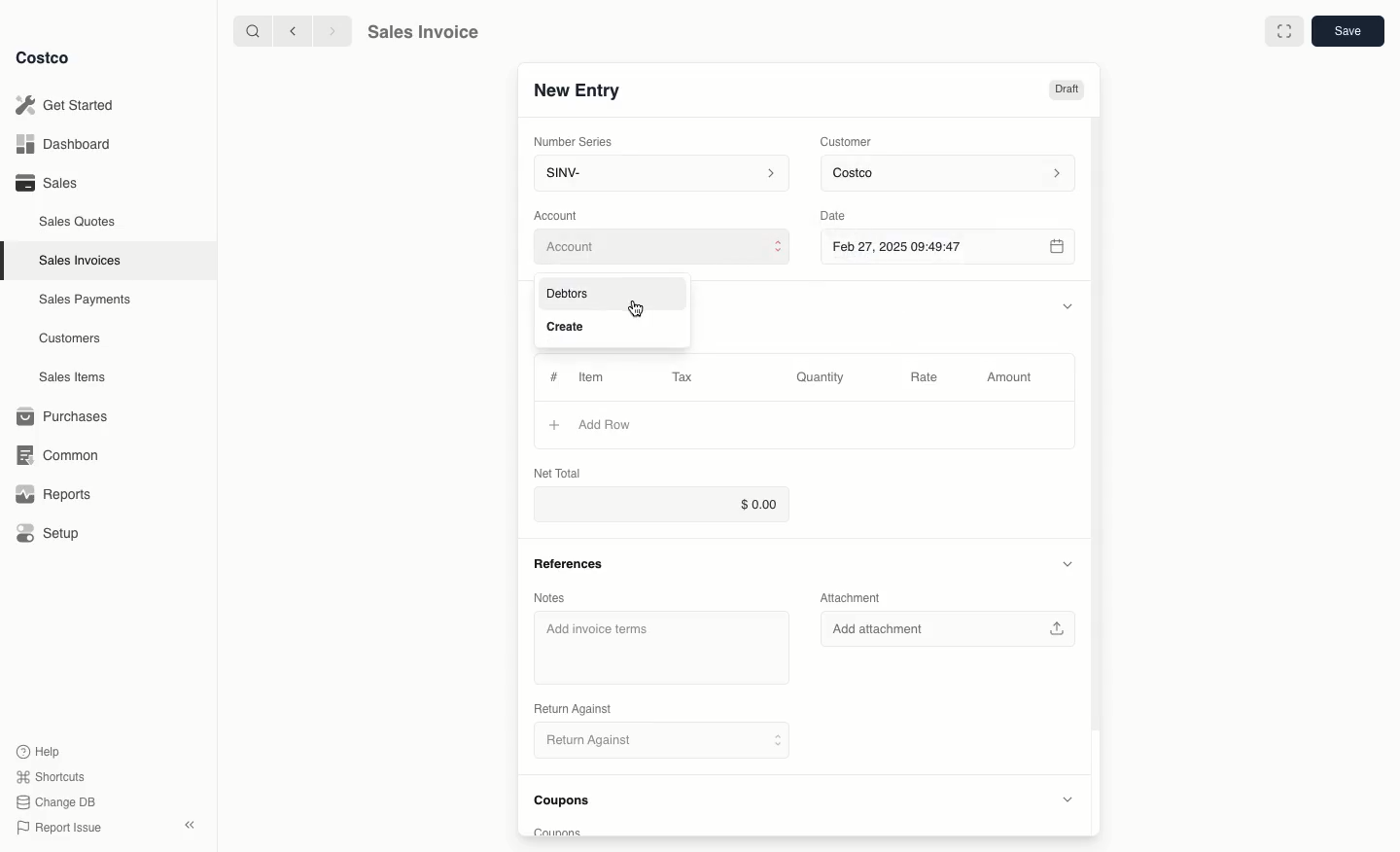 The height and width of the screenshot is (852, 1400). What do you see at coordinates (849, 213) in the screenshot?
I see `Date` at bounding box center [849, 213].